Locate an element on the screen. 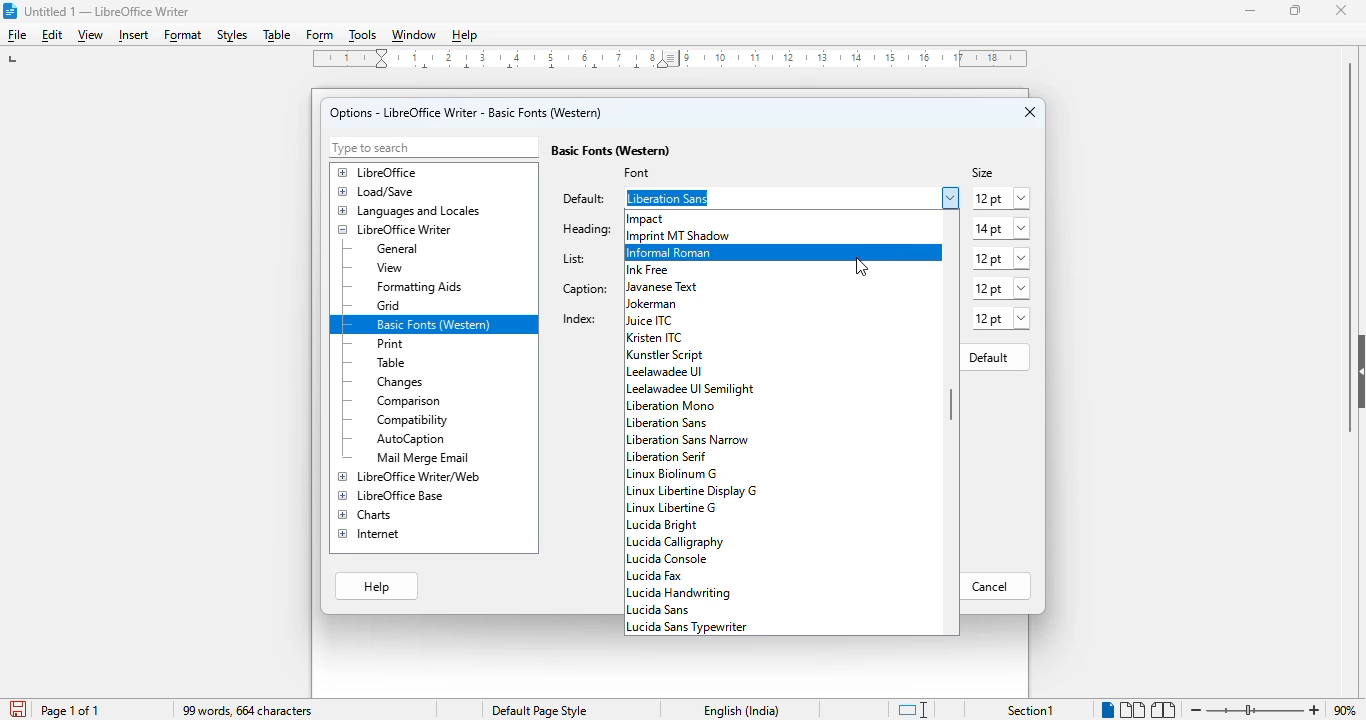 Image resolution: width=1366 pixels, height=720 pixels. section 1 is located at coordinates (1031, 711).